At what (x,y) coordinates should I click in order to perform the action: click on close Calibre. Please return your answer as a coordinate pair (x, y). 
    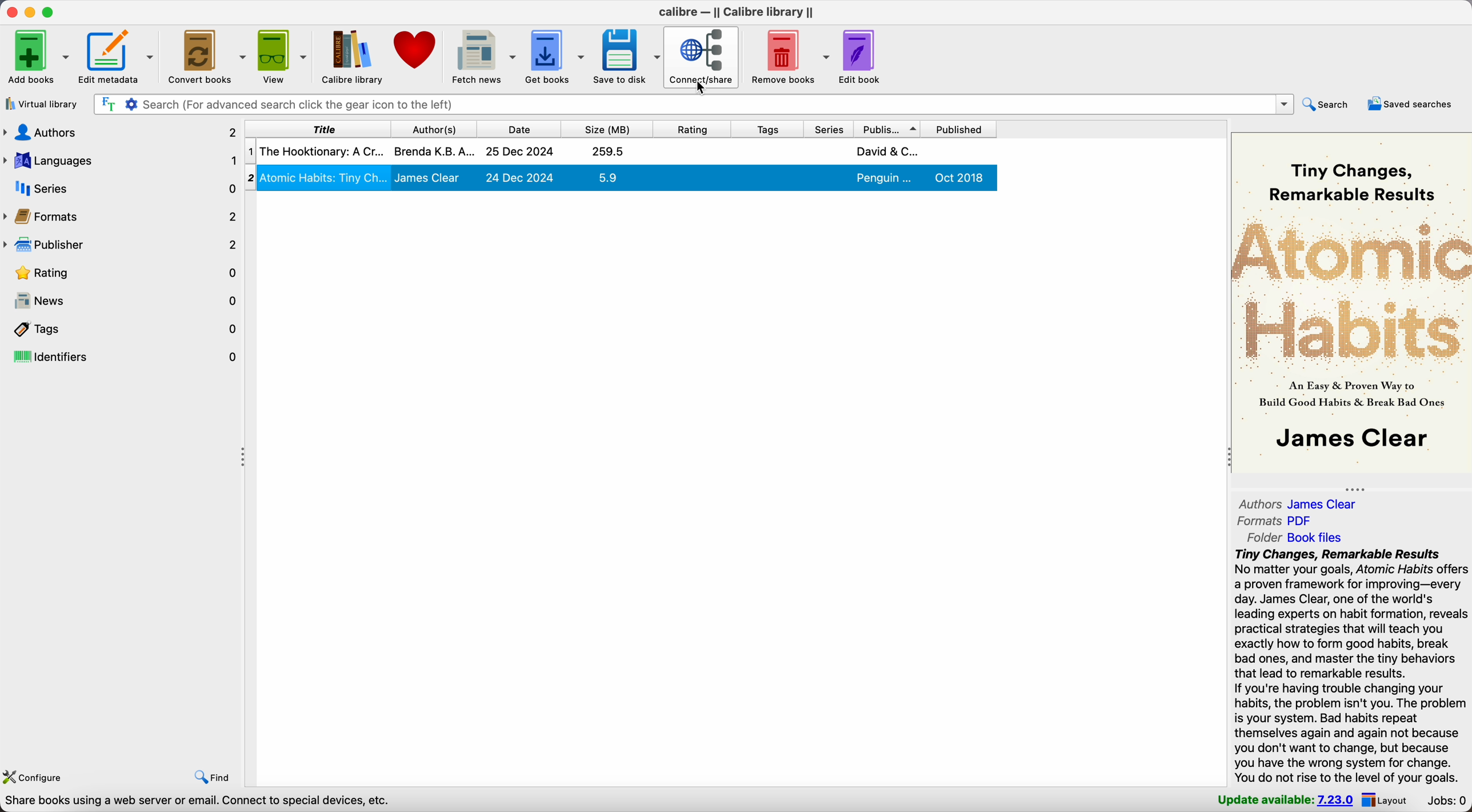
    Looking at the image, I should click on (10, 11).